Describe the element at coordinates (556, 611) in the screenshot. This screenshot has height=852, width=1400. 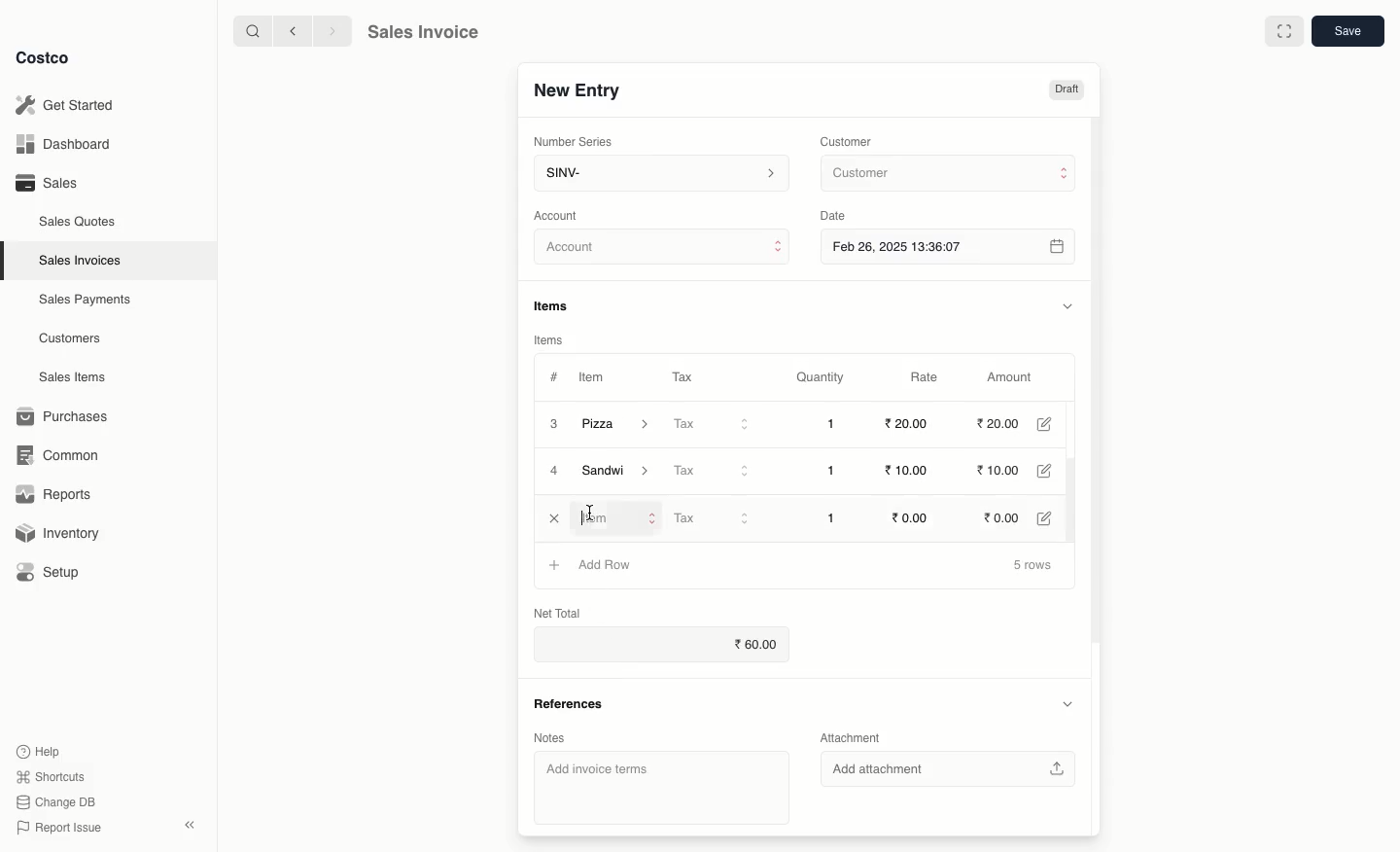
I see `Net Total` at that location.